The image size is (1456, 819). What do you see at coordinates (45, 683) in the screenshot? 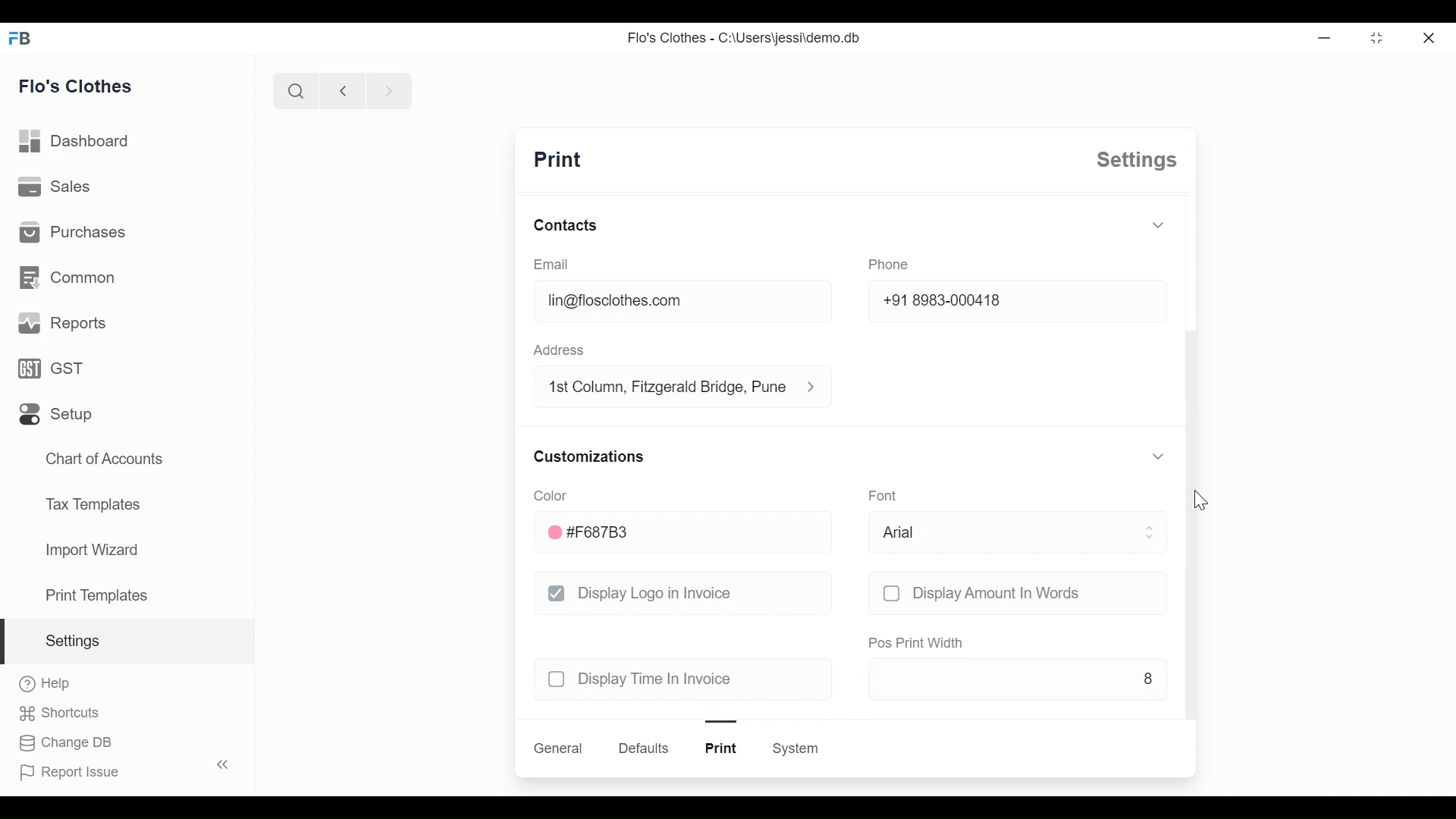
I see `help` at bounding box center [45, 683].